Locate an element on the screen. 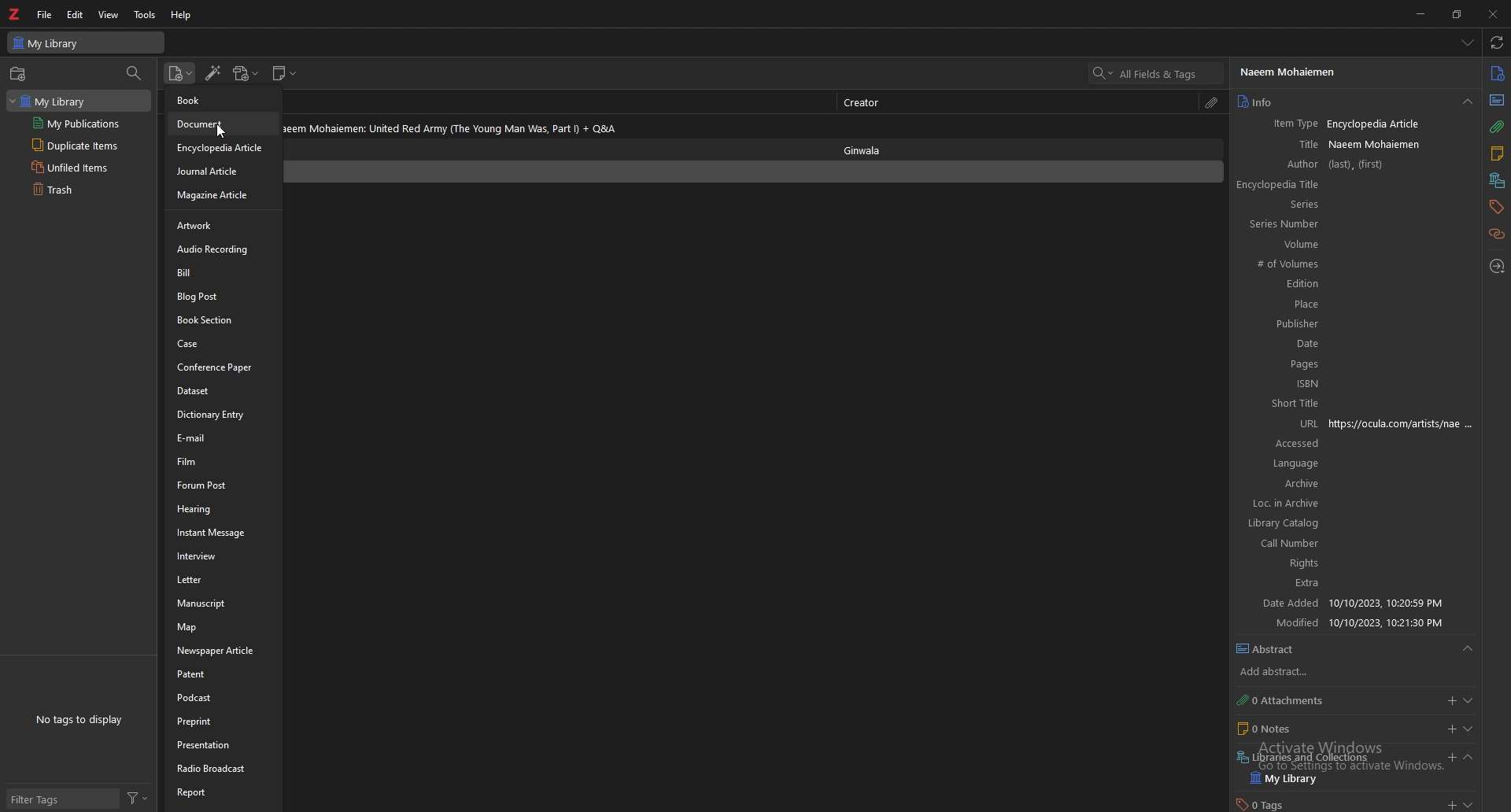  item type input is located at coordinates (1402, 124).